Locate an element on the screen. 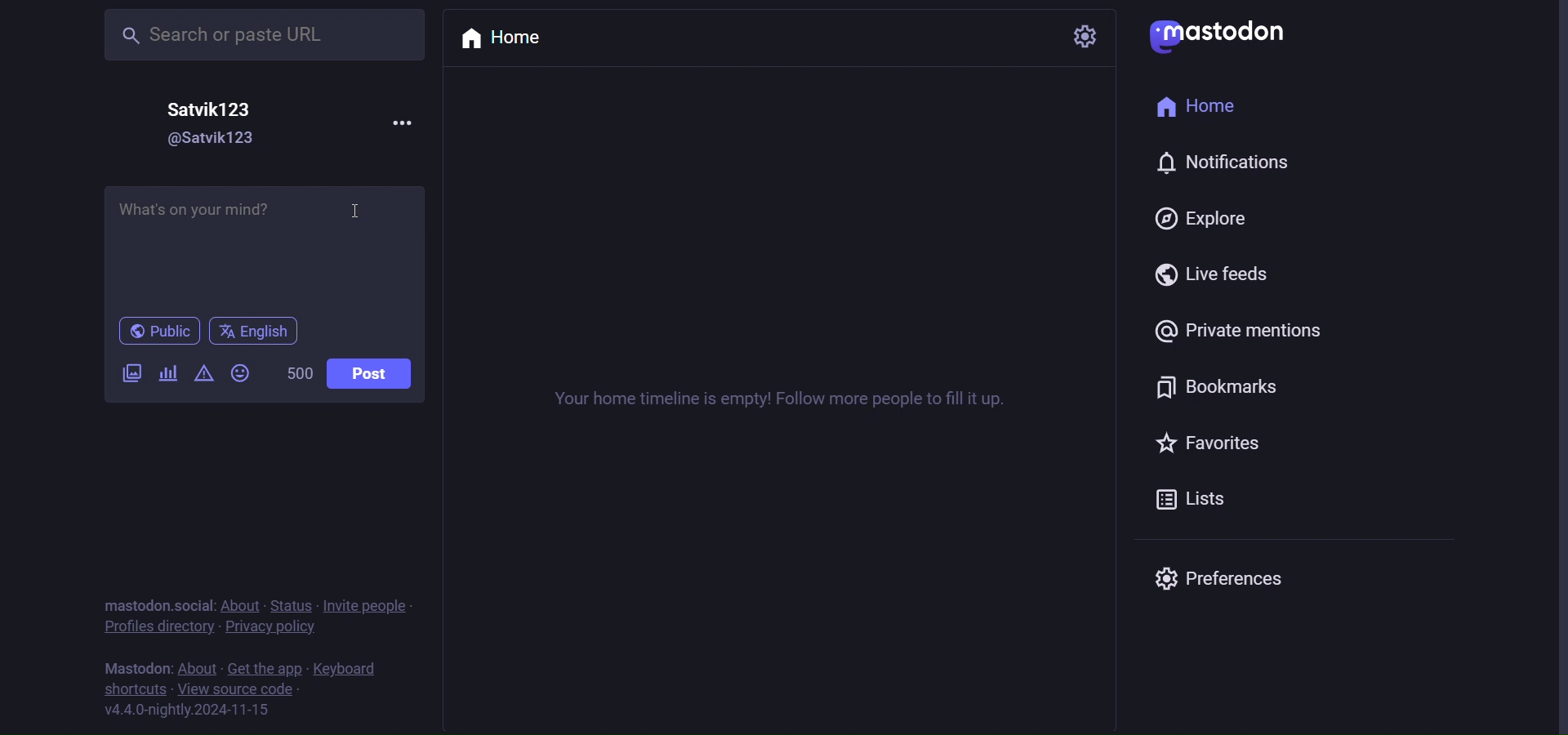 Image resolution: width=1568 pixels, height=735 pixels. emoji is located at coordinates (241, 373).